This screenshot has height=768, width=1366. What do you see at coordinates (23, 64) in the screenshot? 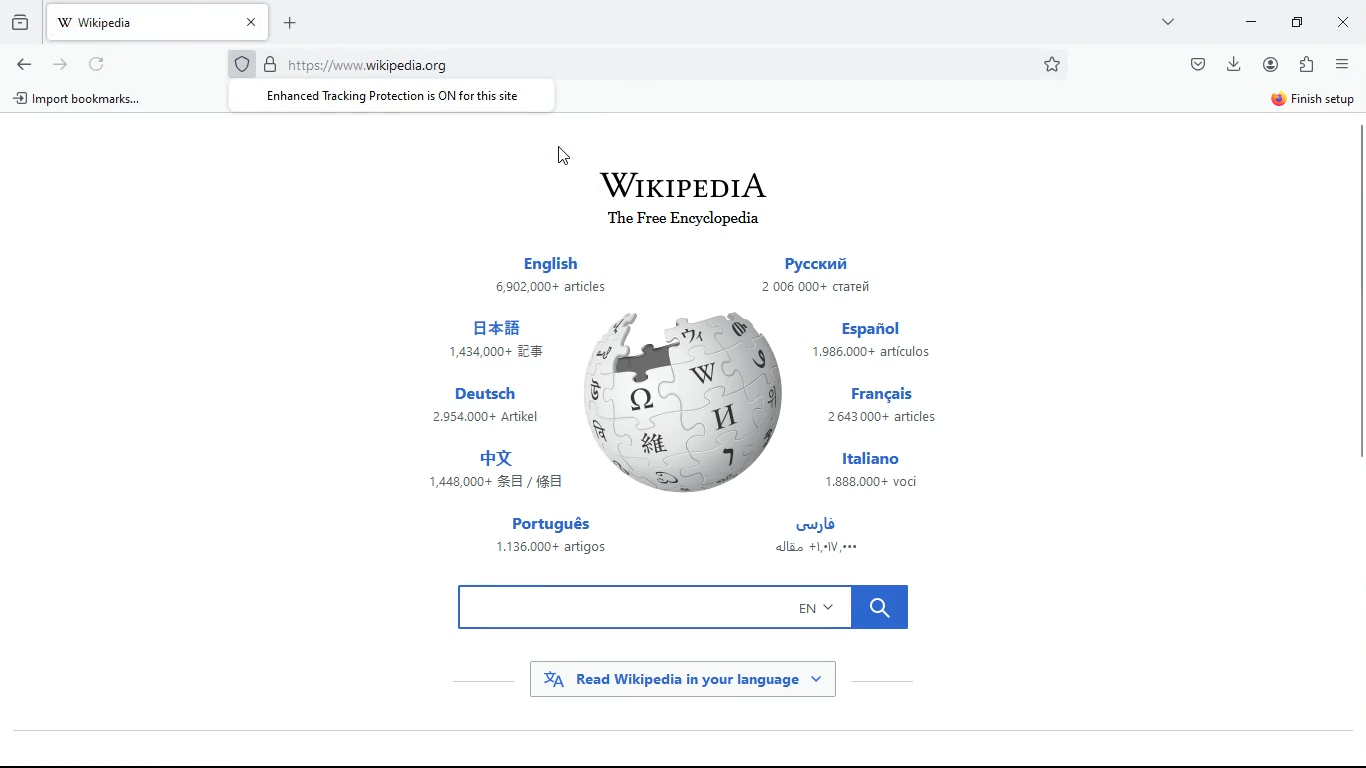
I see `back` at bounding box center [23, 64].